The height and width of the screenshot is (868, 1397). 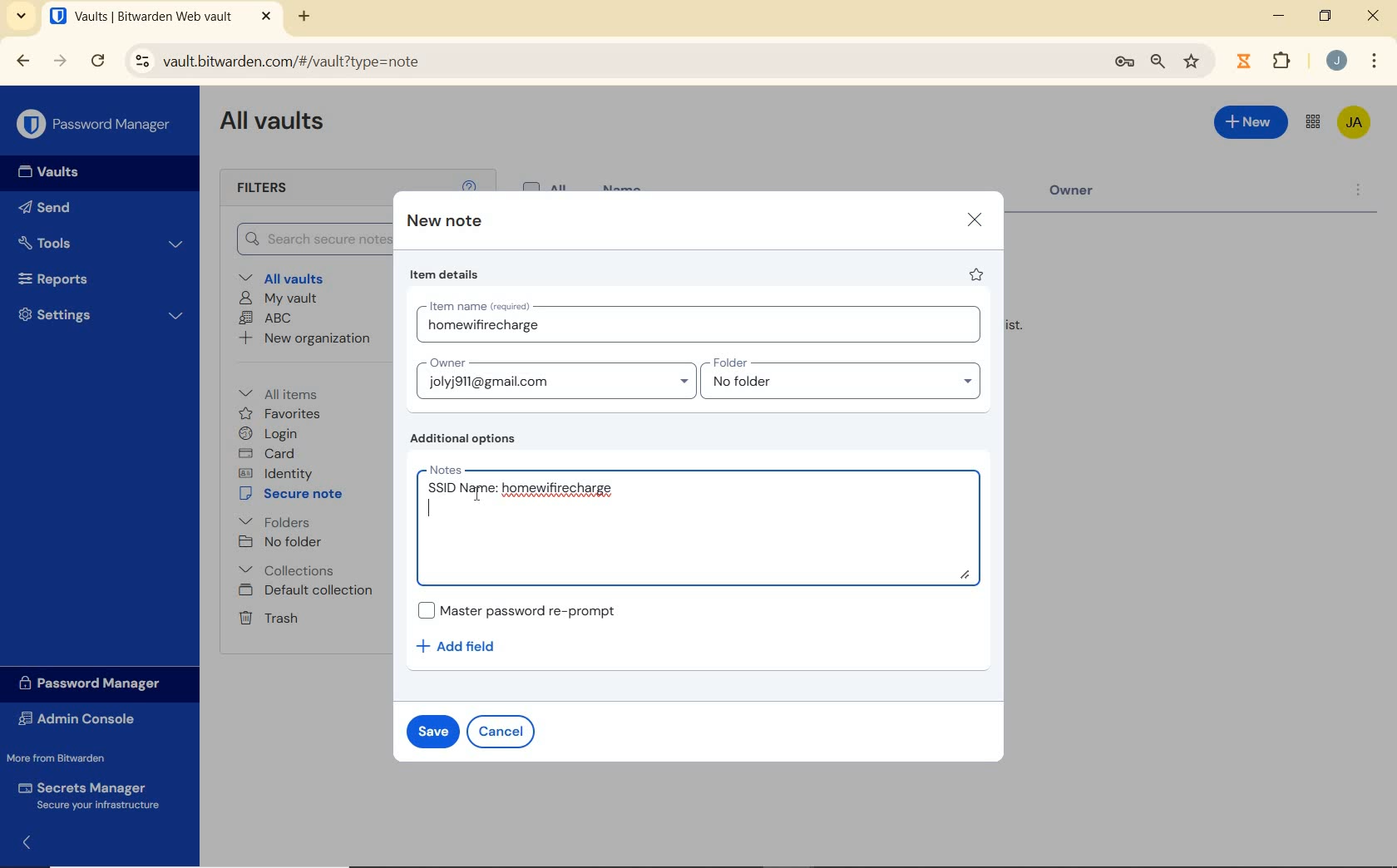 What do you see at coordinates (306, 240) in the screenshot?
I see `Search Vault` at bounding box center [306, 240].